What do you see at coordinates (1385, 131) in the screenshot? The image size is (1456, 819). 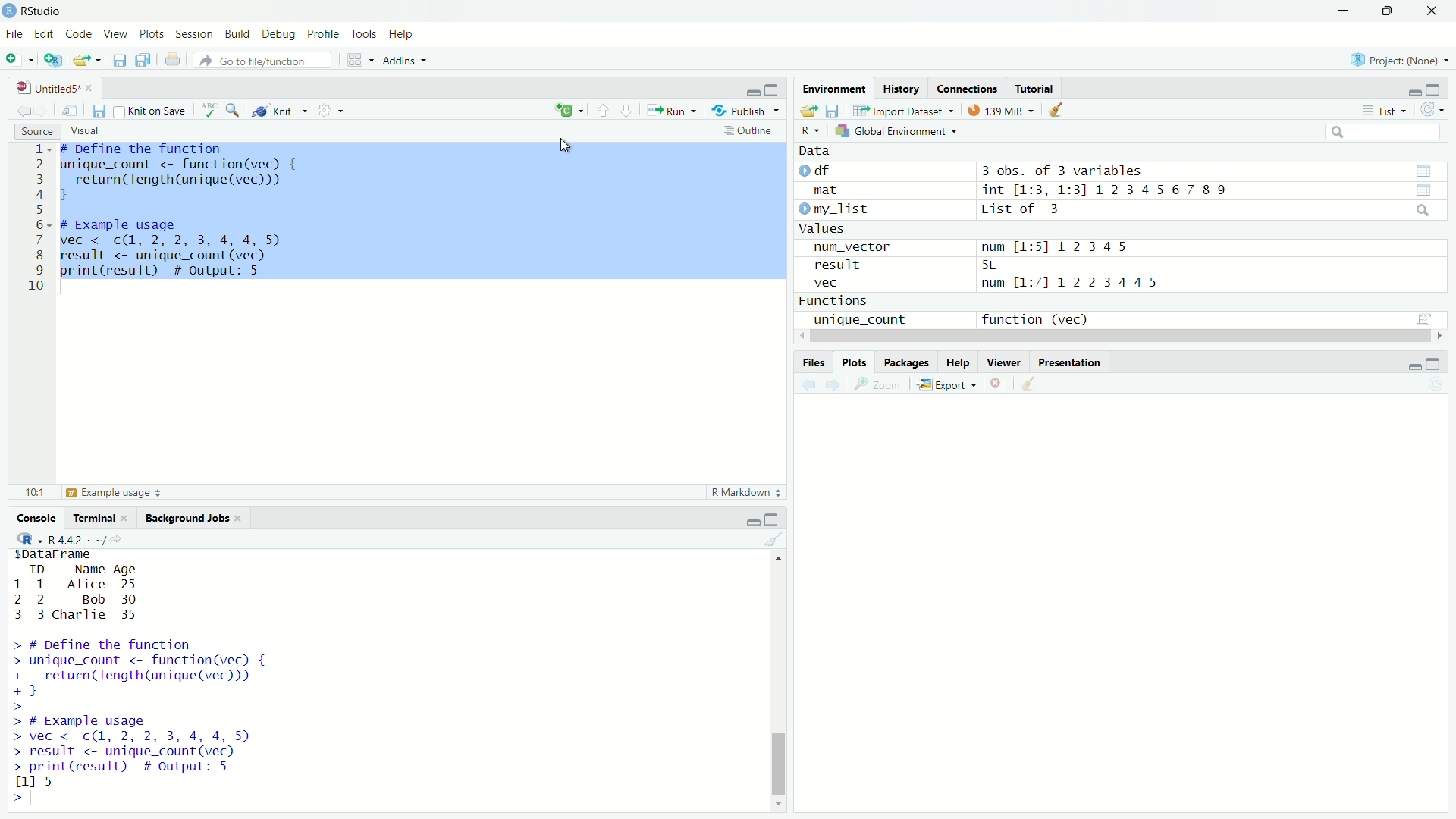 I see `search bar` at bounding box center [1385, 131].